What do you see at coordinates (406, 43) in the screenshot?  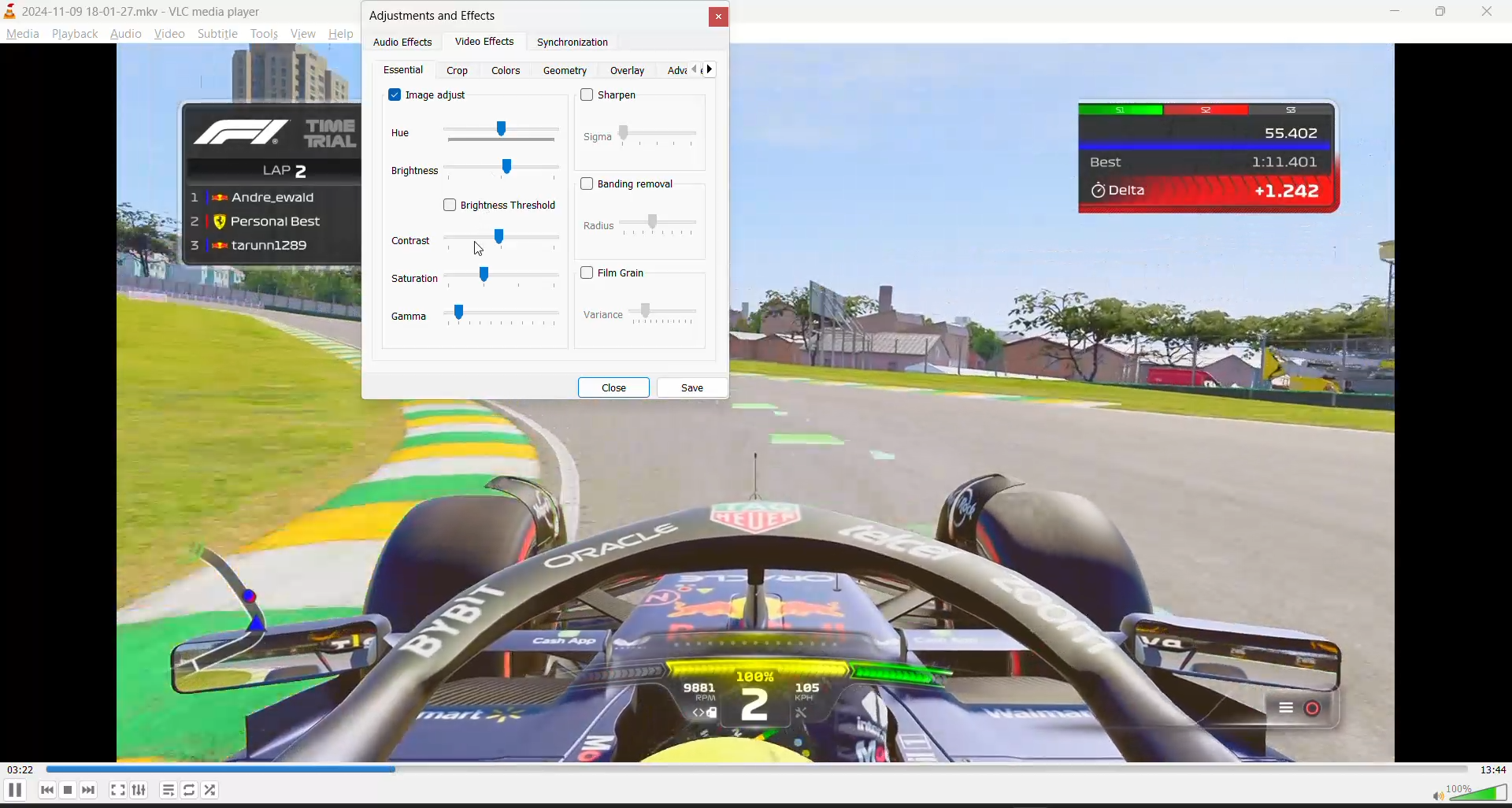 I see `audio effects` at bounding box center [406, 43].